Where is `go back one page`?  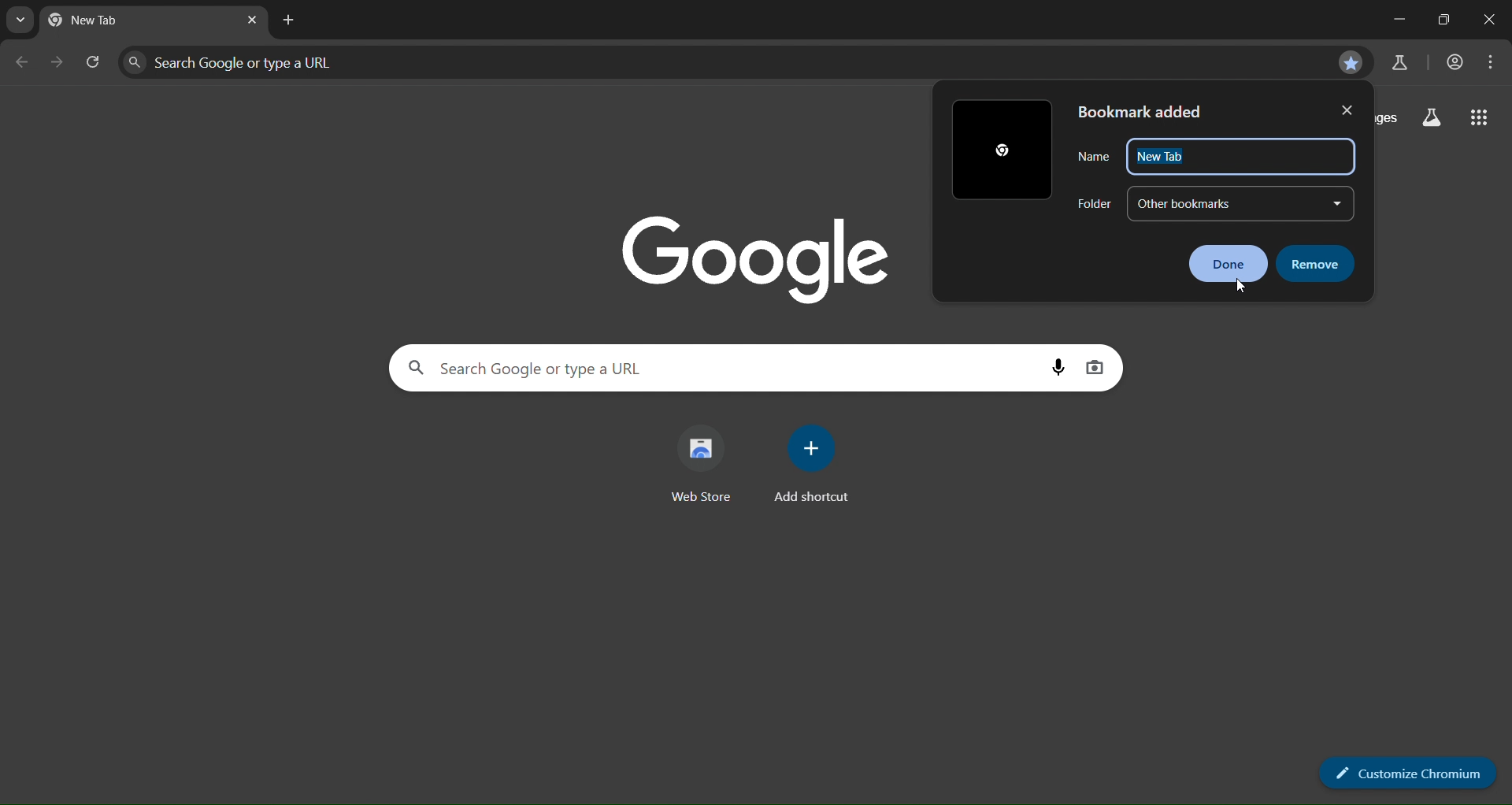 go back one page is located at coordinates (23, 63).